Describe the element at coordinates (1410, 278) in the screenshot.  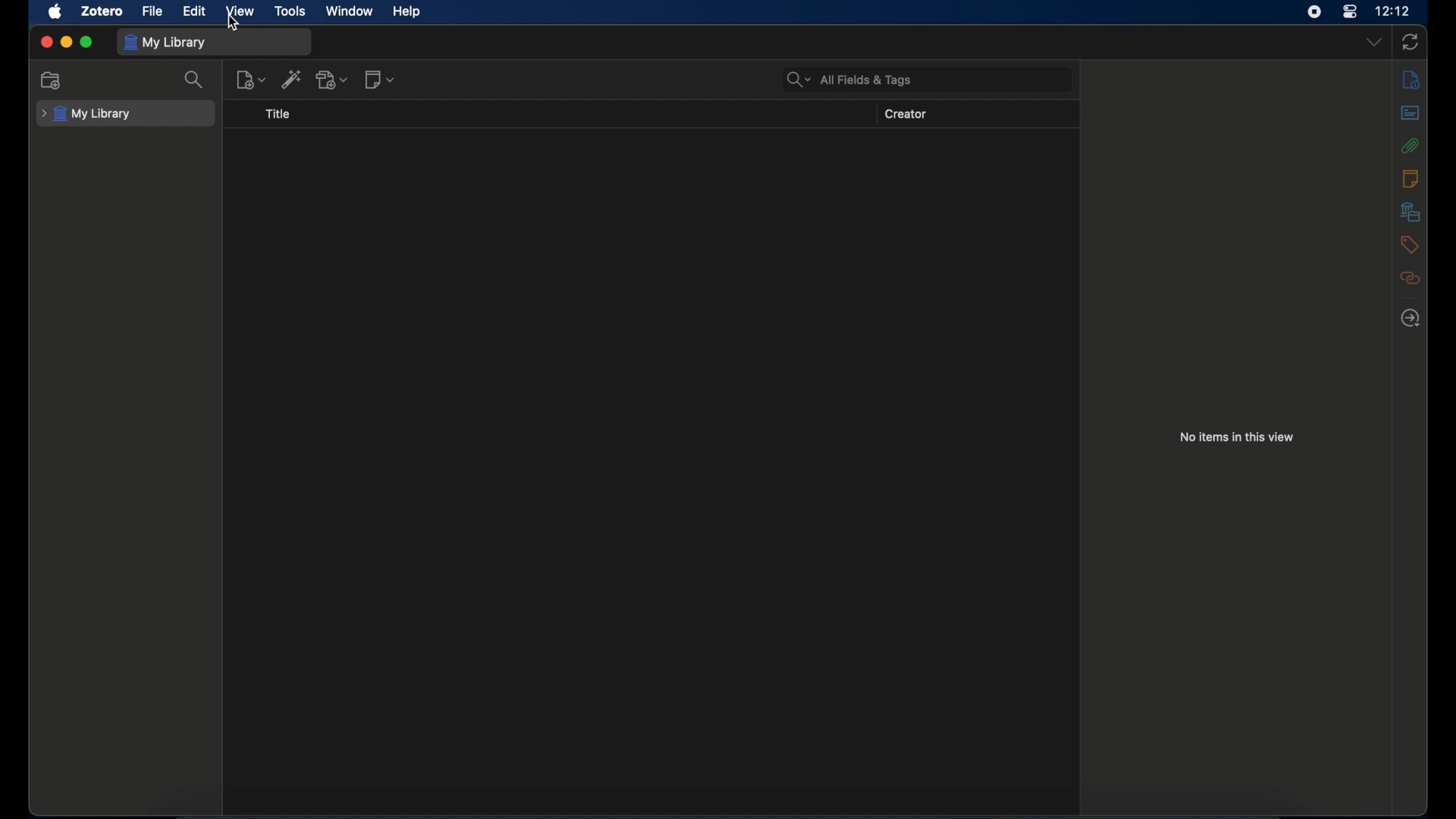
I see `related` at that location.